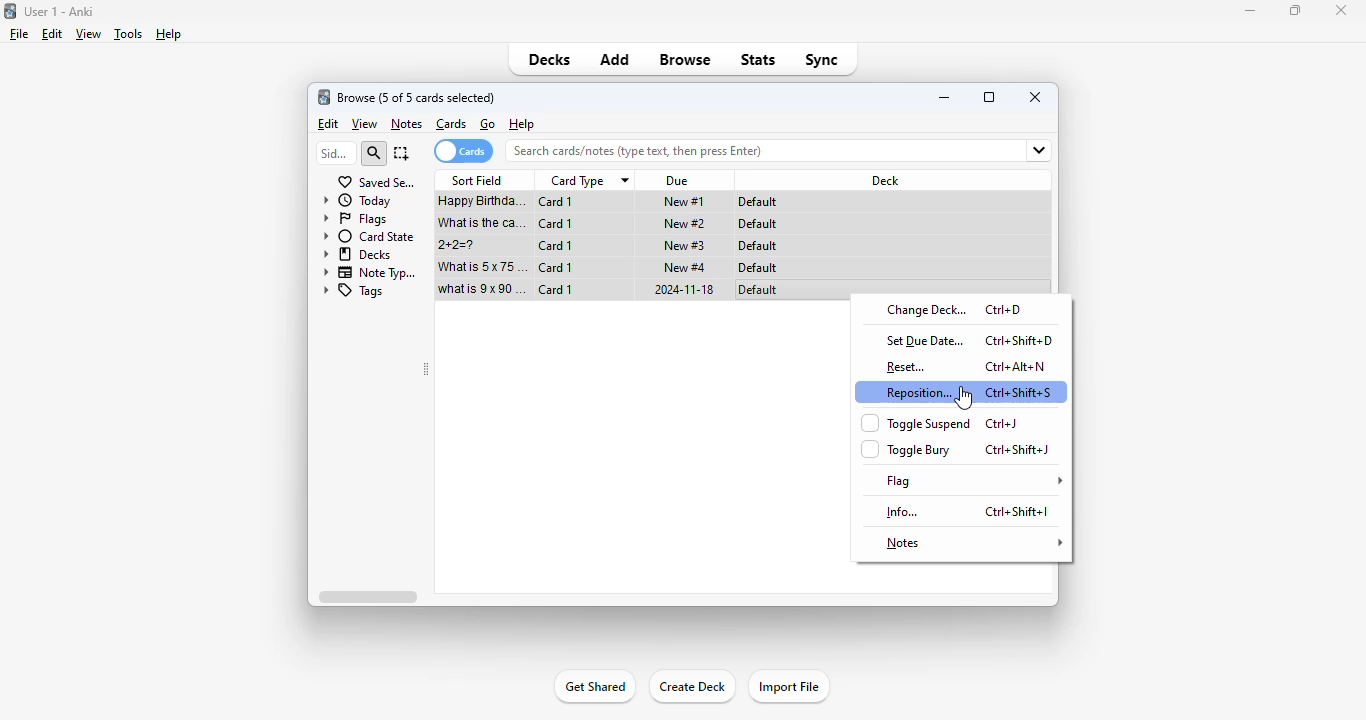 This screenshot has width=1366, height=720. Describe the element at coordinates (488, 124) in the screenshot. I see `go` at that location.